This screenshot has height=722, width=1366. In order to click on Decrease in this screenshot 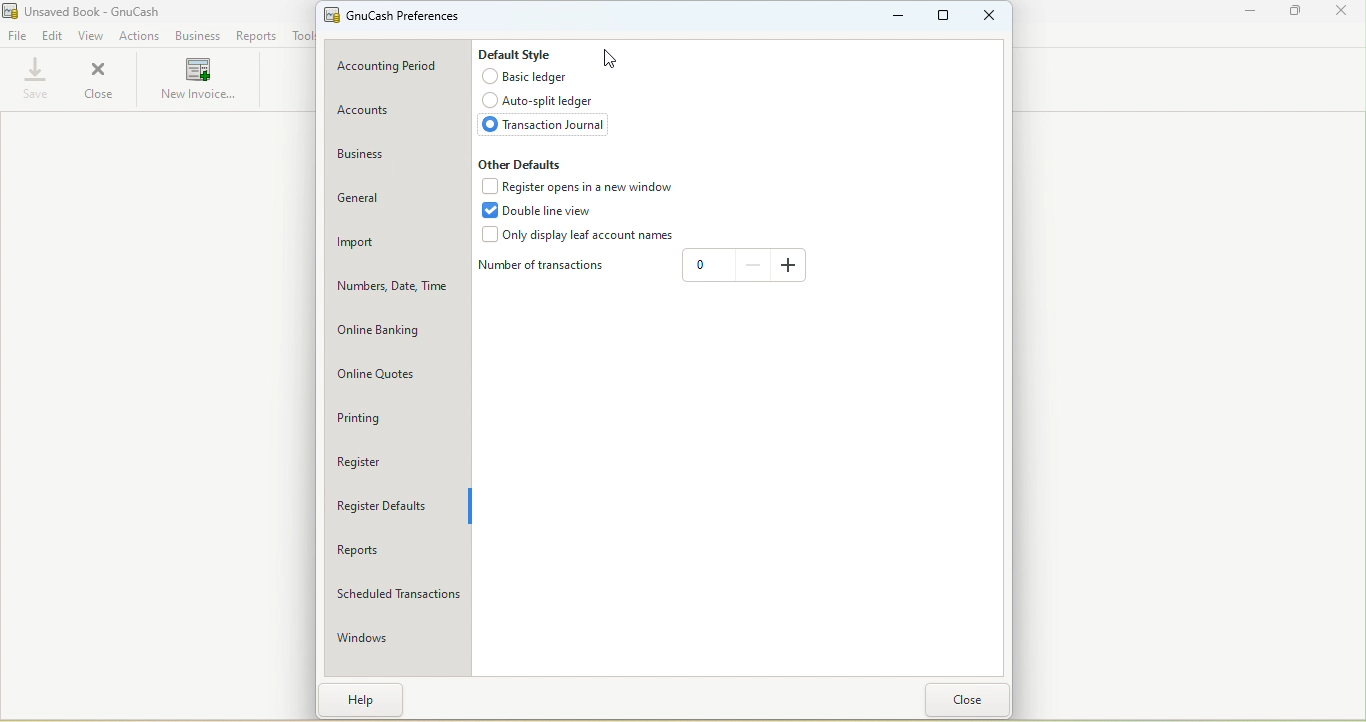, I will do `click(749, 266)`.